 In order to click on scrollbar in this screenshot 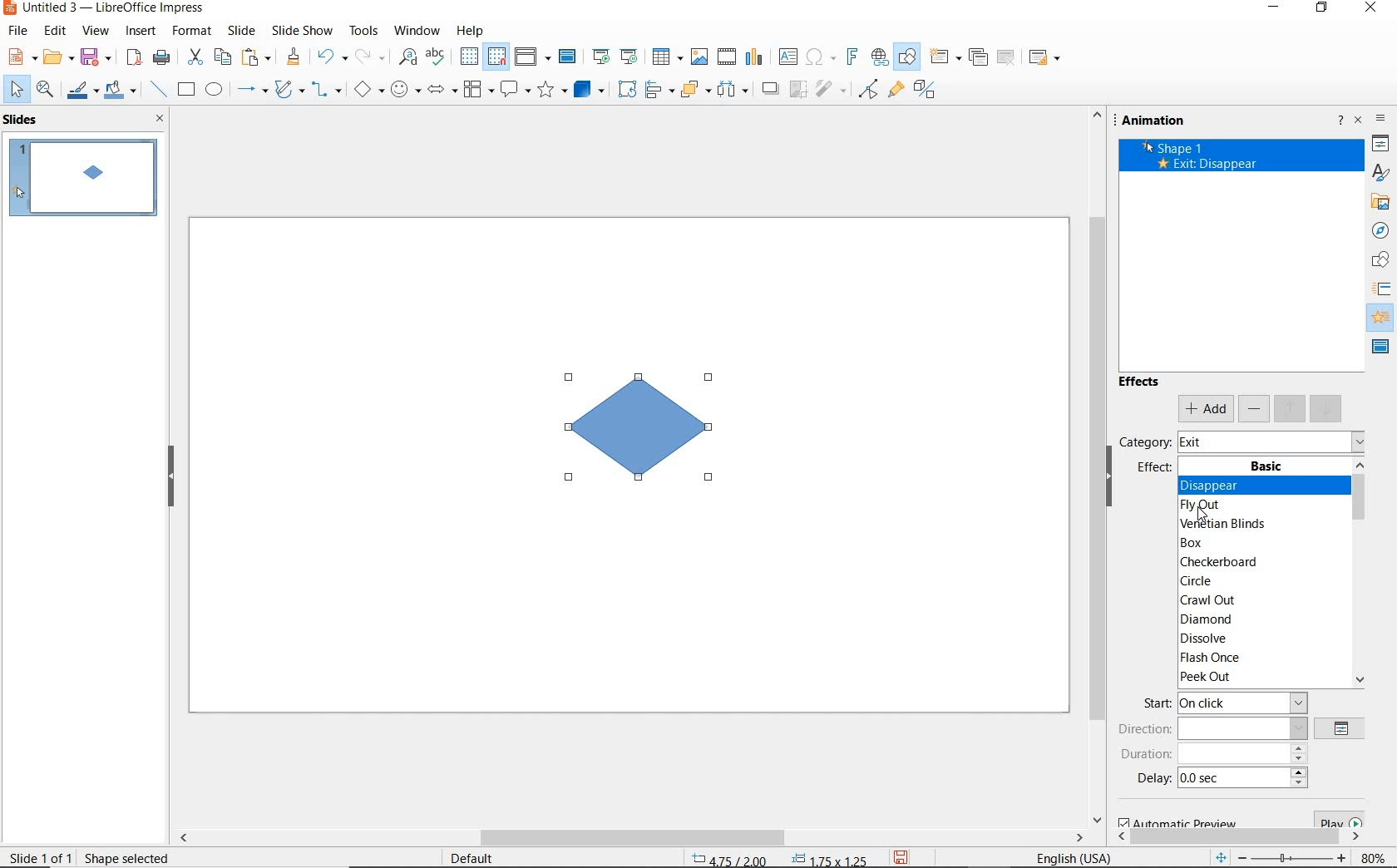, I will do `click(1237, 838)`.